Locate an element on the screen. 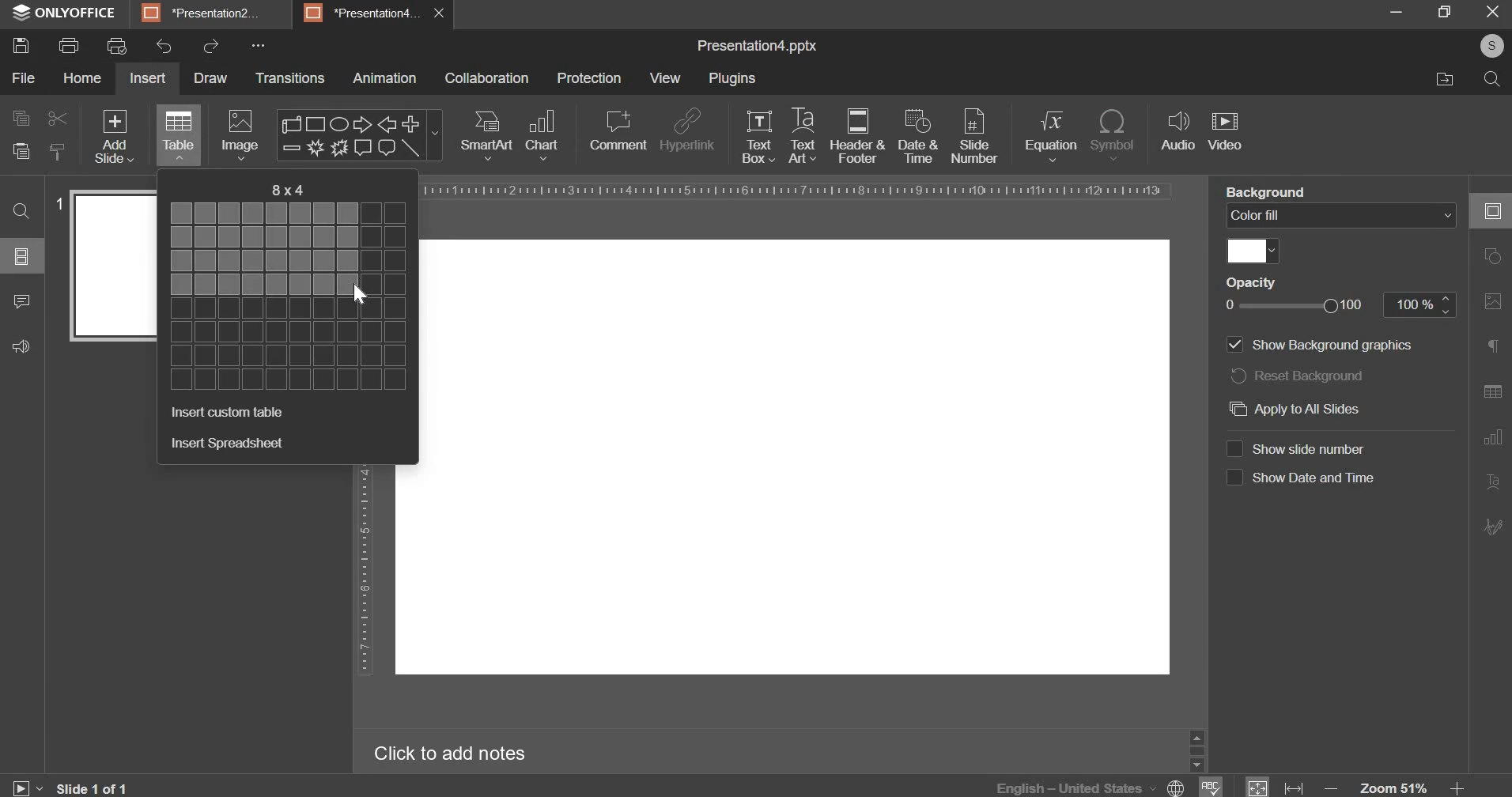  cut is located at coordinates (55, 119).